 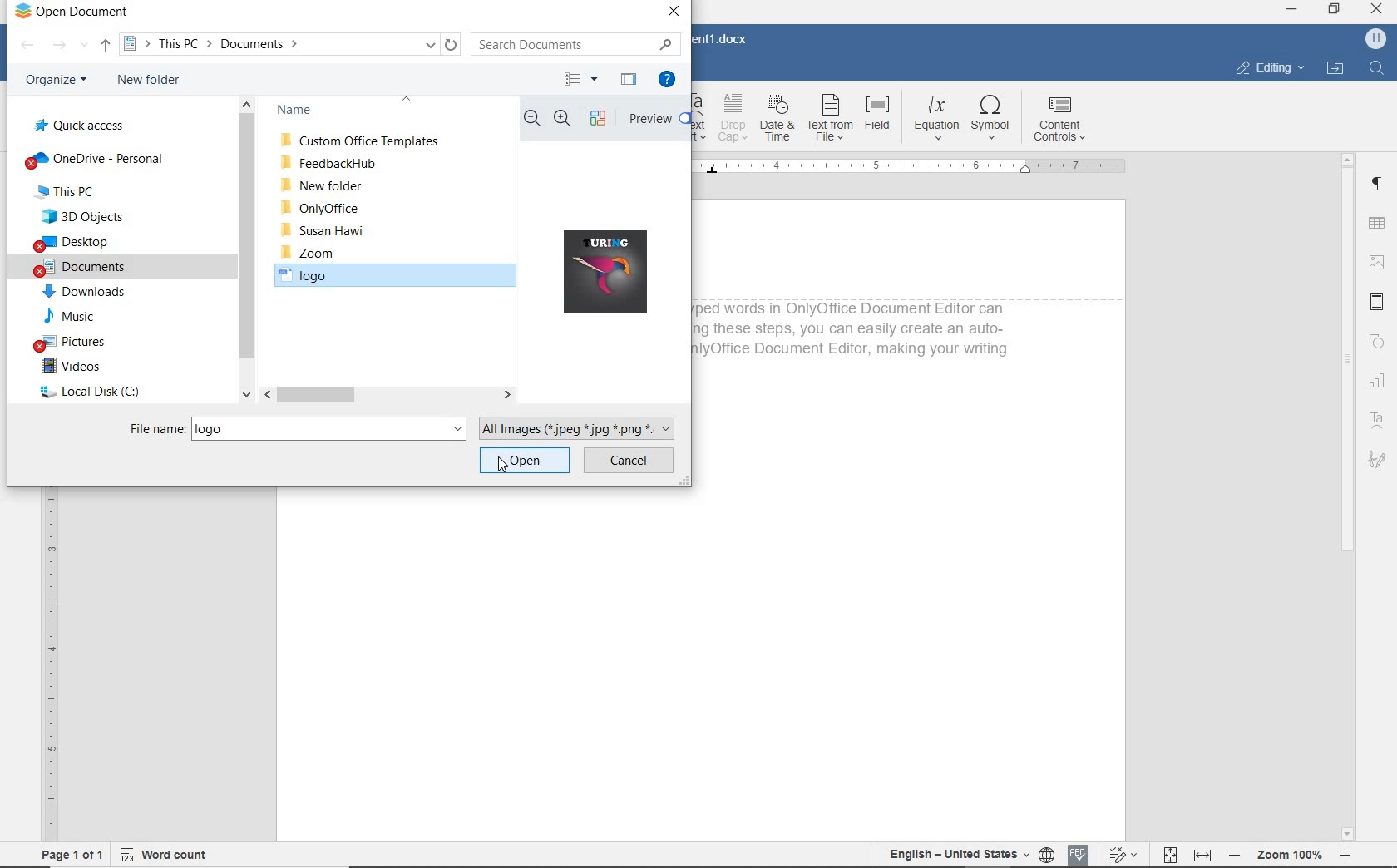 I want to click on FORWARD, so click(x=69, y=45).